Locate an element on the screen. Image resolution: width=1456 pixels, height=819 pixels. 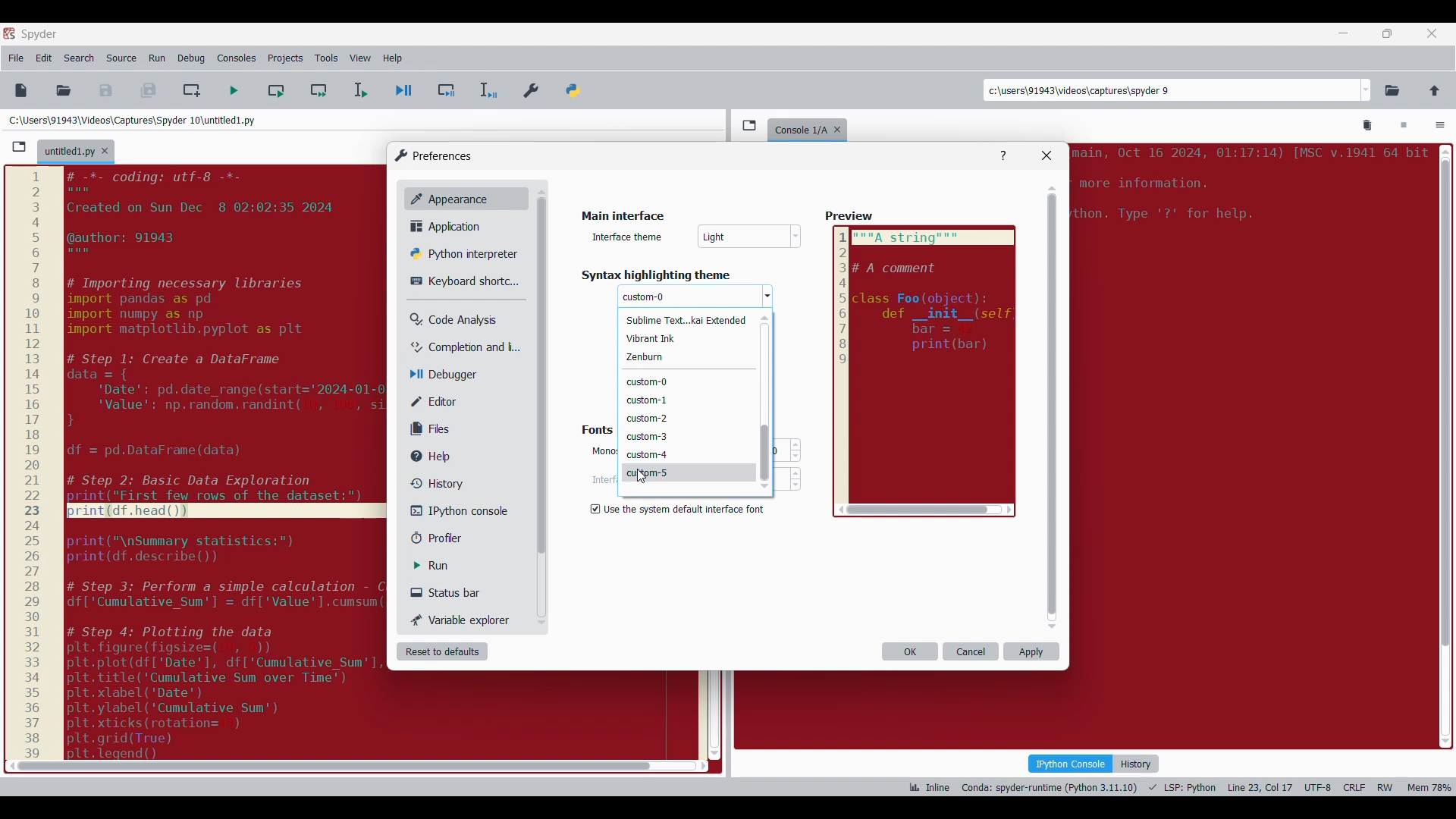
Theme highlighted by cursor is located at coordinates (689, 472).